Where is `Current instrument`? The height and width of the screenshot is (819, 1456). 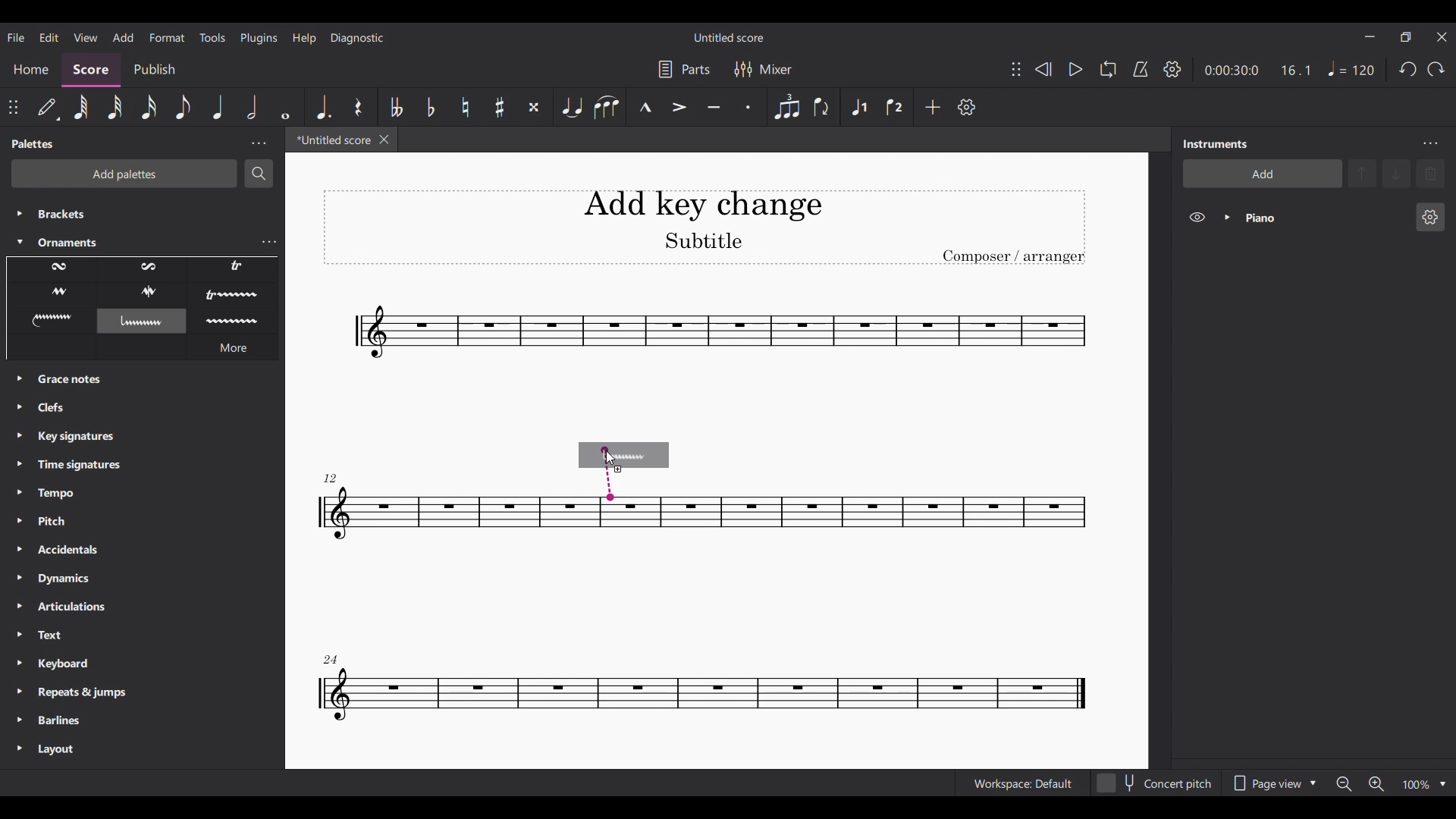 Current instrument is located at coordinates (1324, 217).